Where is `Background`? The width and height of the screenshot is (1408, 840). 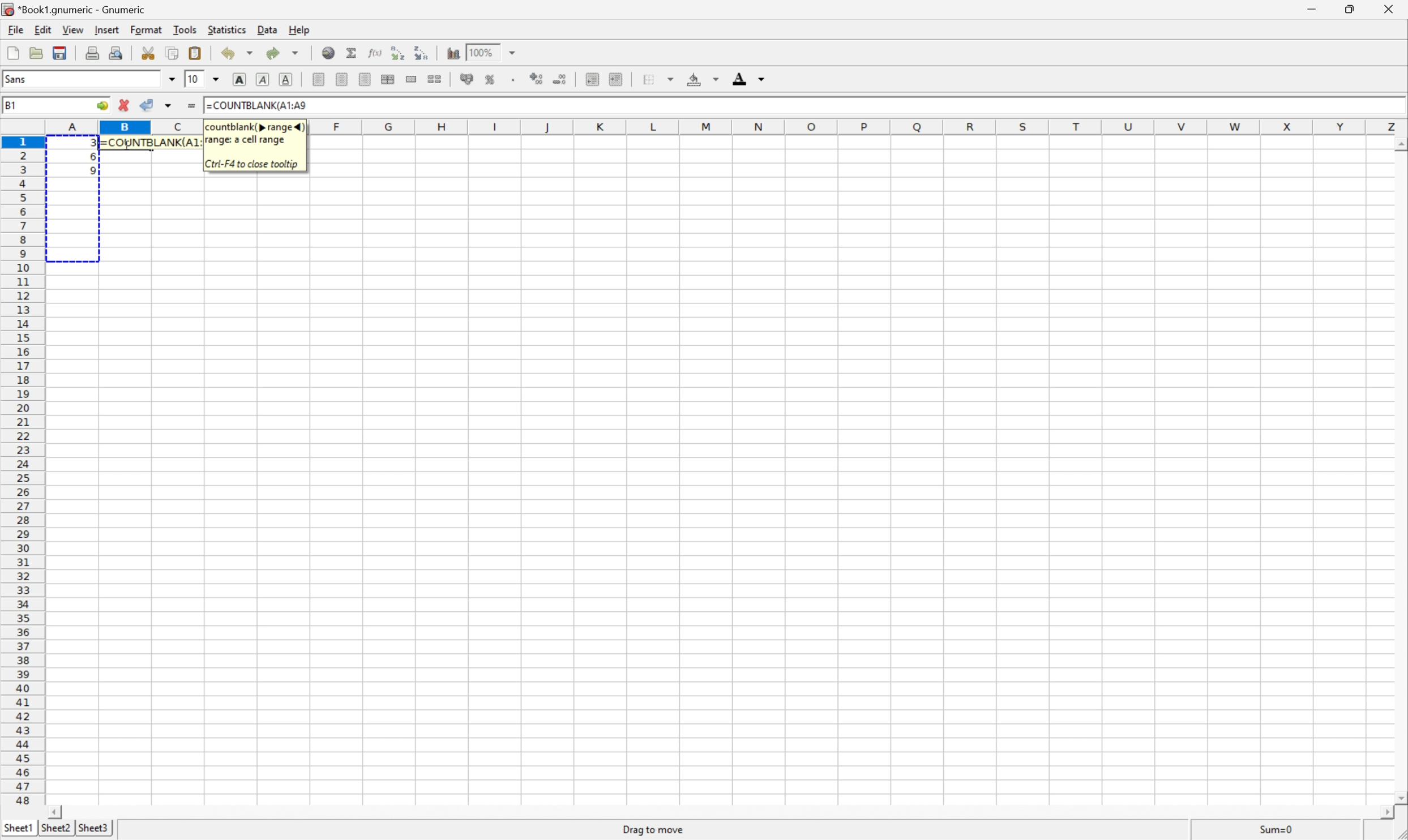 Background is located at coordinates (701, 79).